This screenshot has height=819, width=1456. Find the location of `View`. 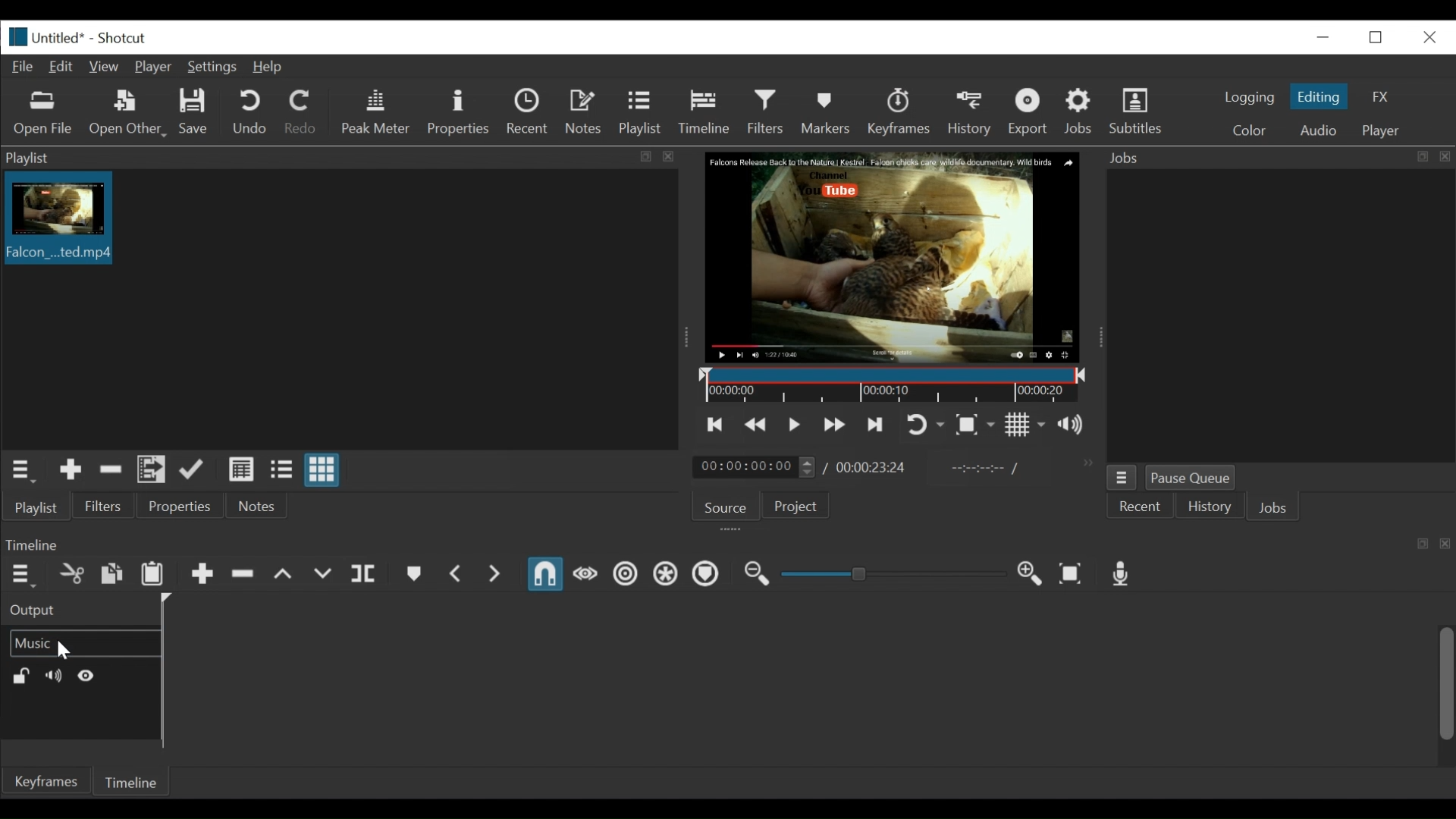

View is located at coordinates (105, 66).